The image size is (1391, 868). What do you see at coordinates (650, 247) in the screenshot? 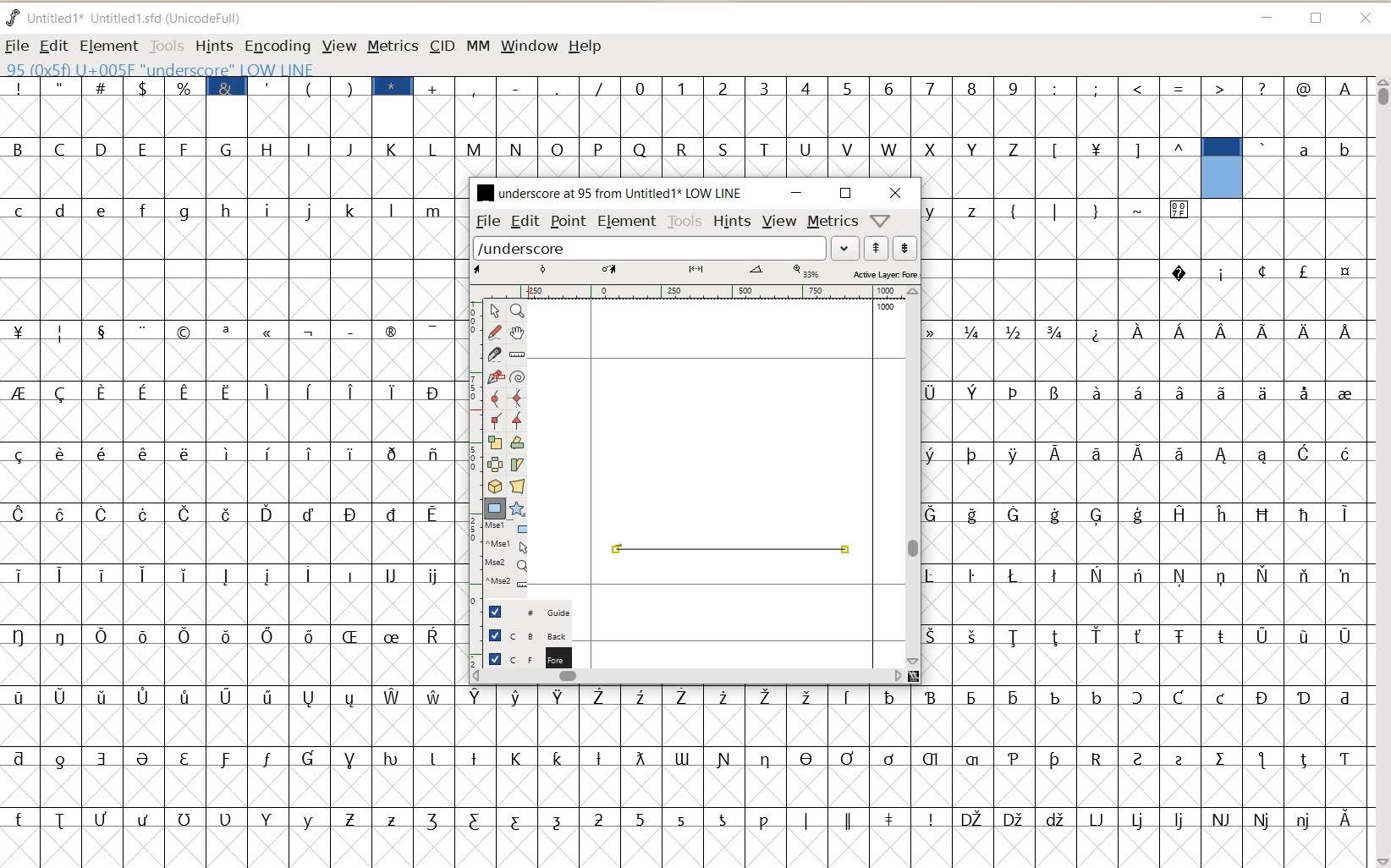
I see `load word list` at bounding box center [650, 247].